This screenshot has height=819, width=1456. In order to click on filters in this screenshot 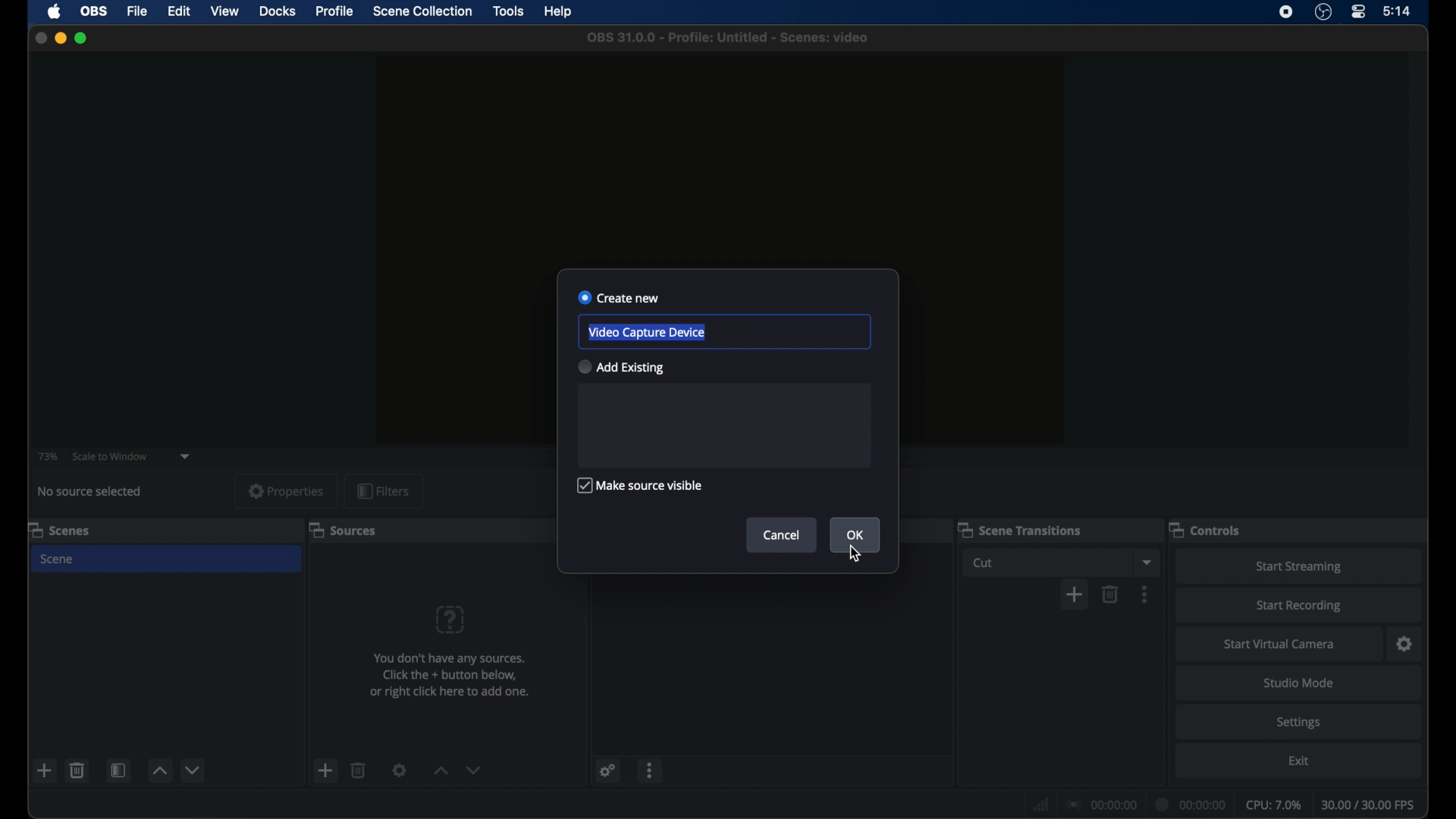, I will do `click(383, 491)`.